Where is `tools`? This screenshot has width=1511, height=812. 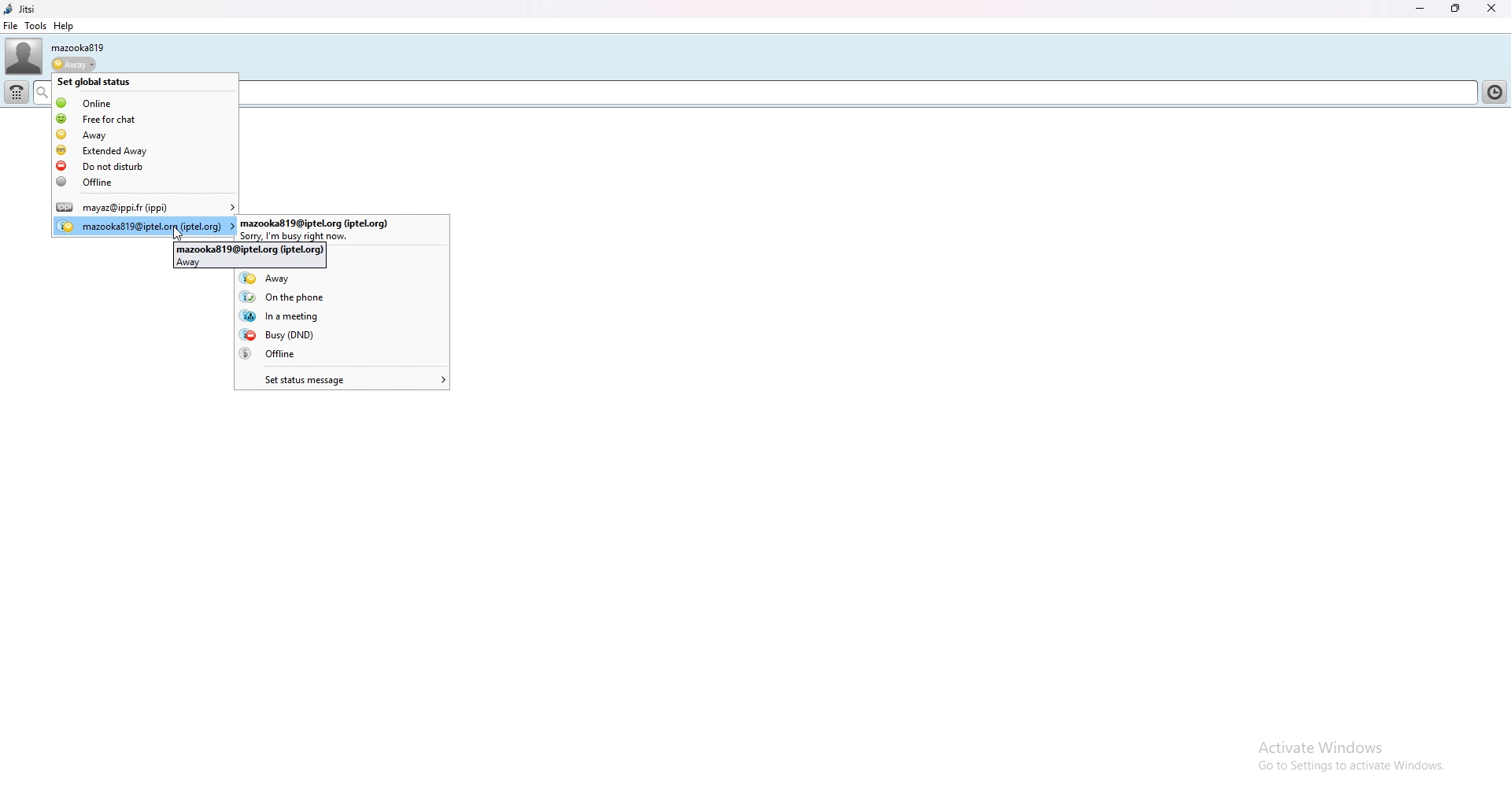 tools is located at coordinates (36, 25).